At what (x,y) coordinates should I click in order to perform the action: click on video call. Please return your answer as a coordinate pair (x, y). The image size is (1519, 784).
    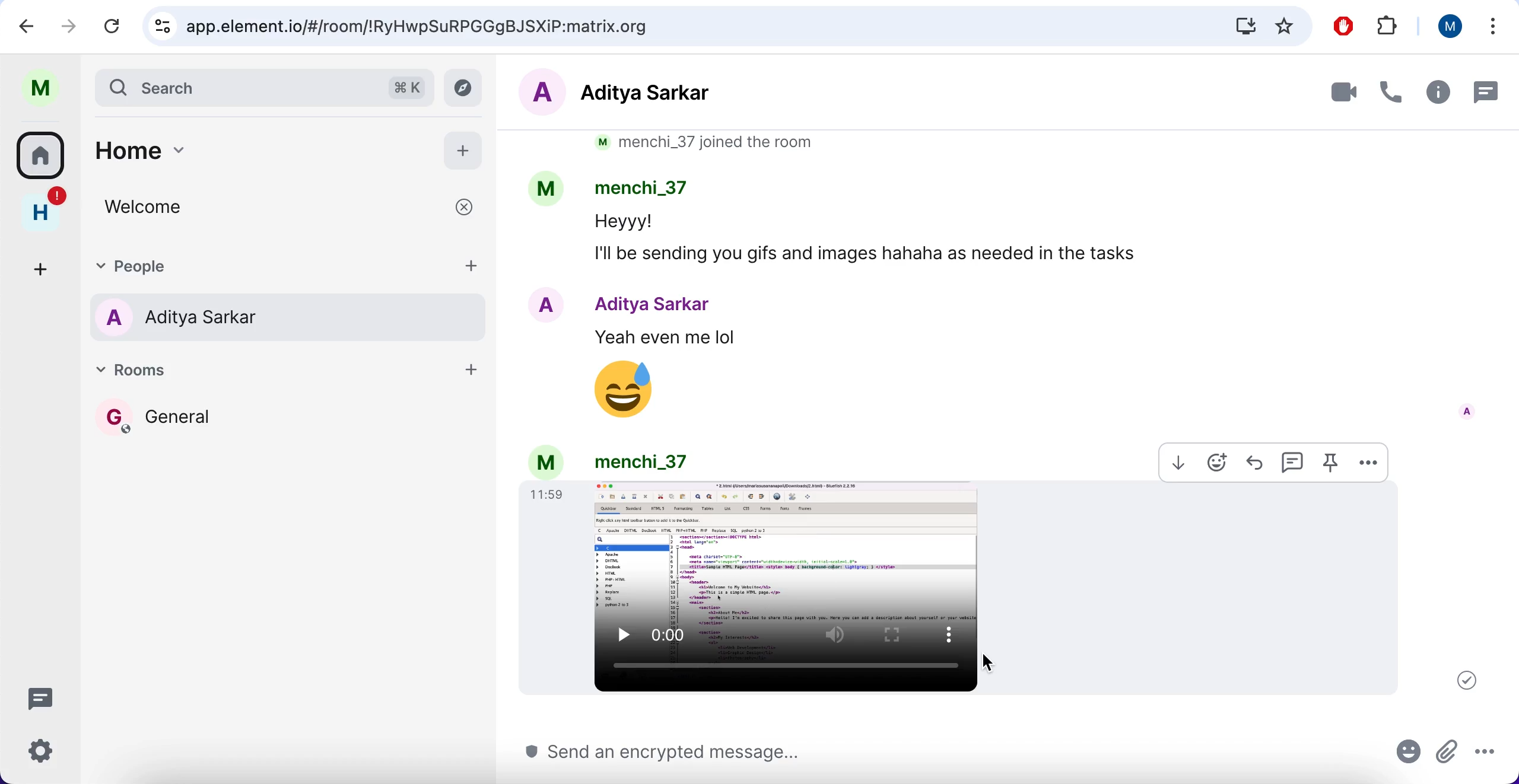
    Looking at the image, I should click on (1343, 94).